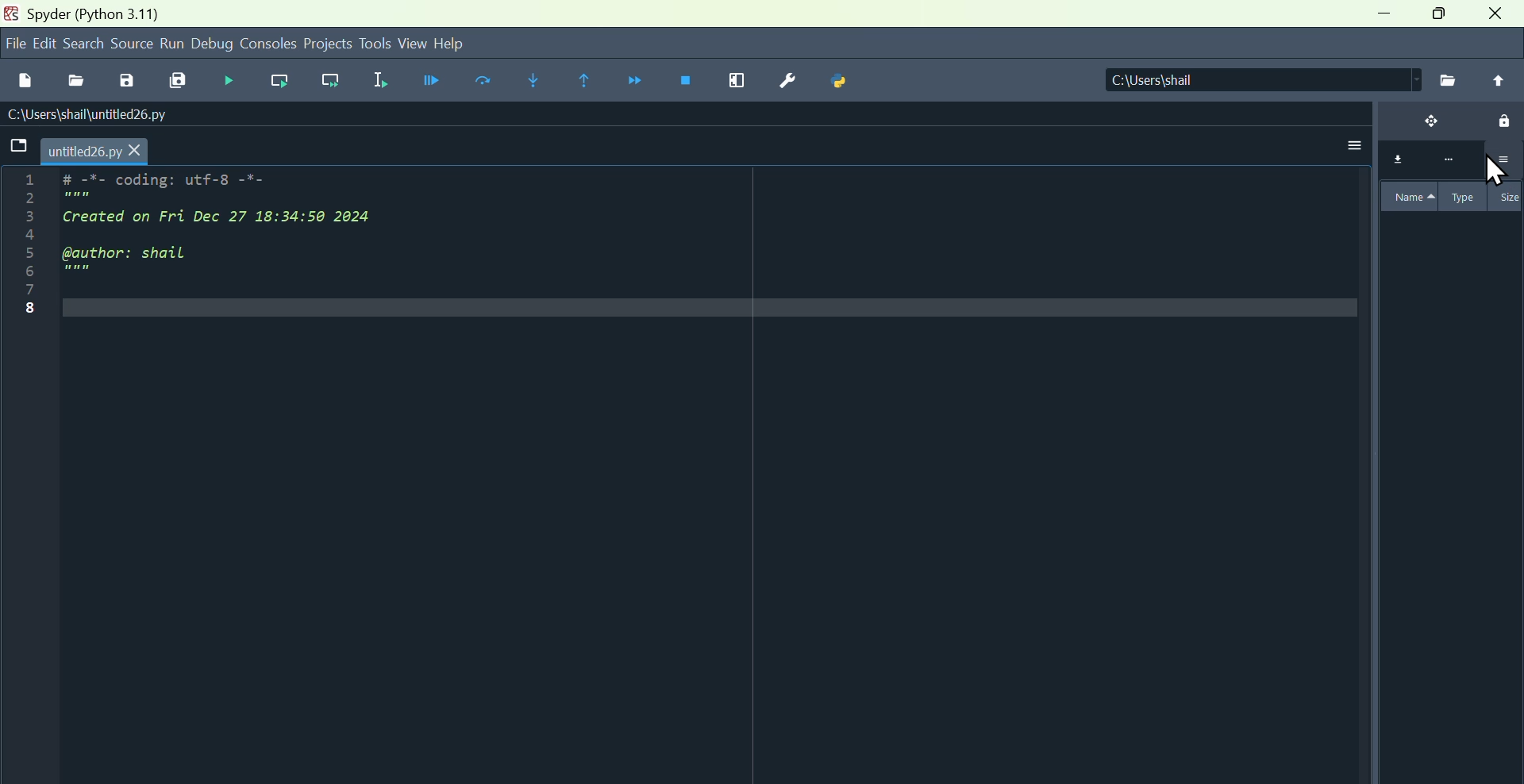  I want to click on Open file, so click(74, 78).